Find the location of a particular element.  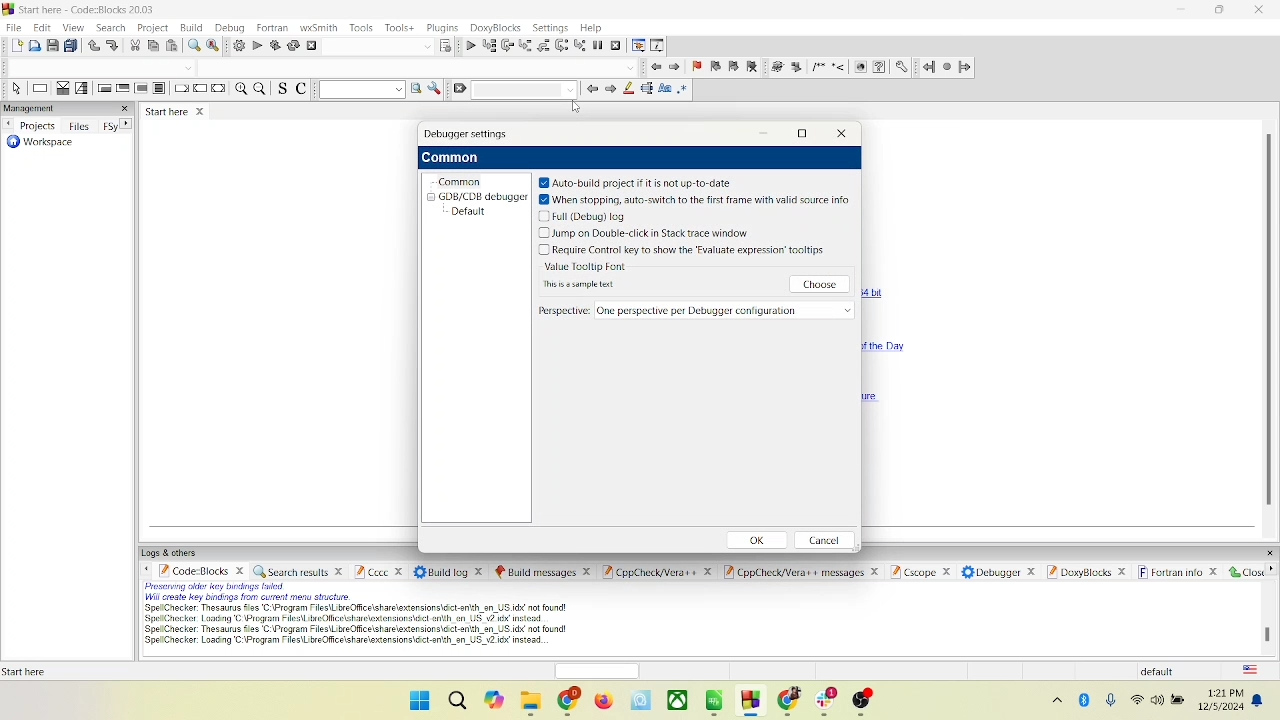

maximize is located at coordinates (1223, 12).